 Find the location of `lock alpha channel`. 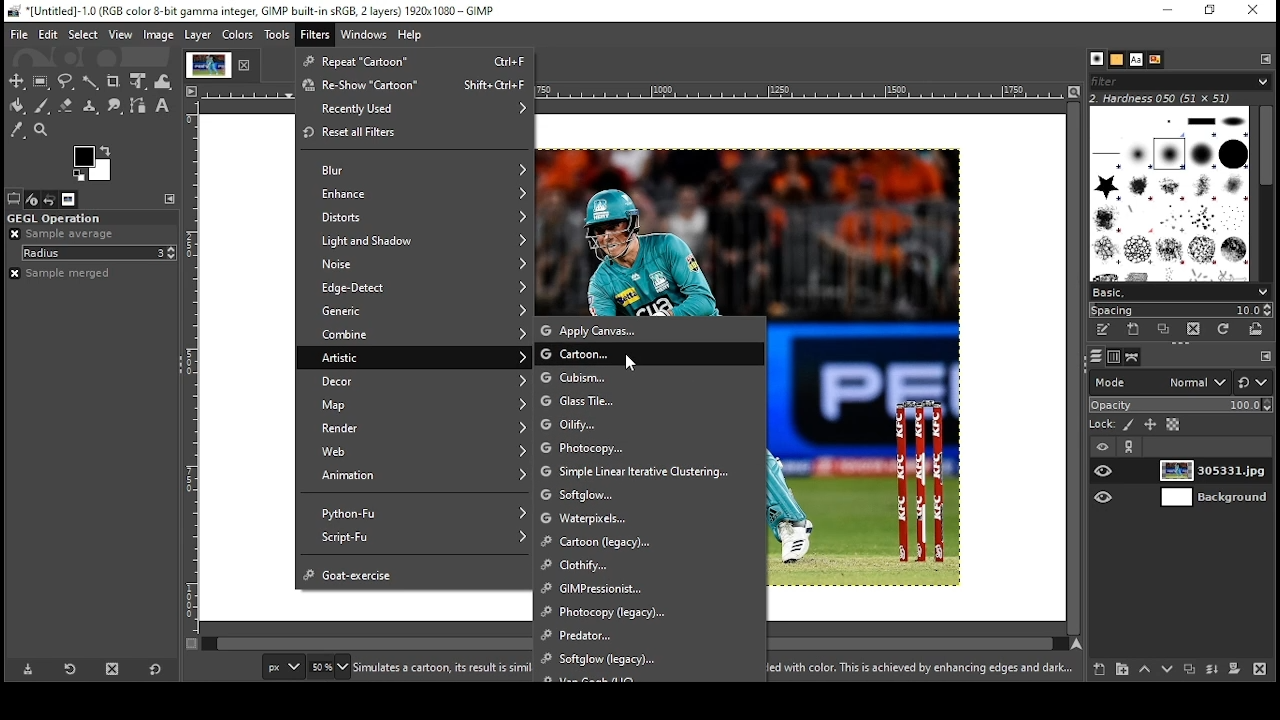

lock alpha channel is located at coordinates (1173, 425).